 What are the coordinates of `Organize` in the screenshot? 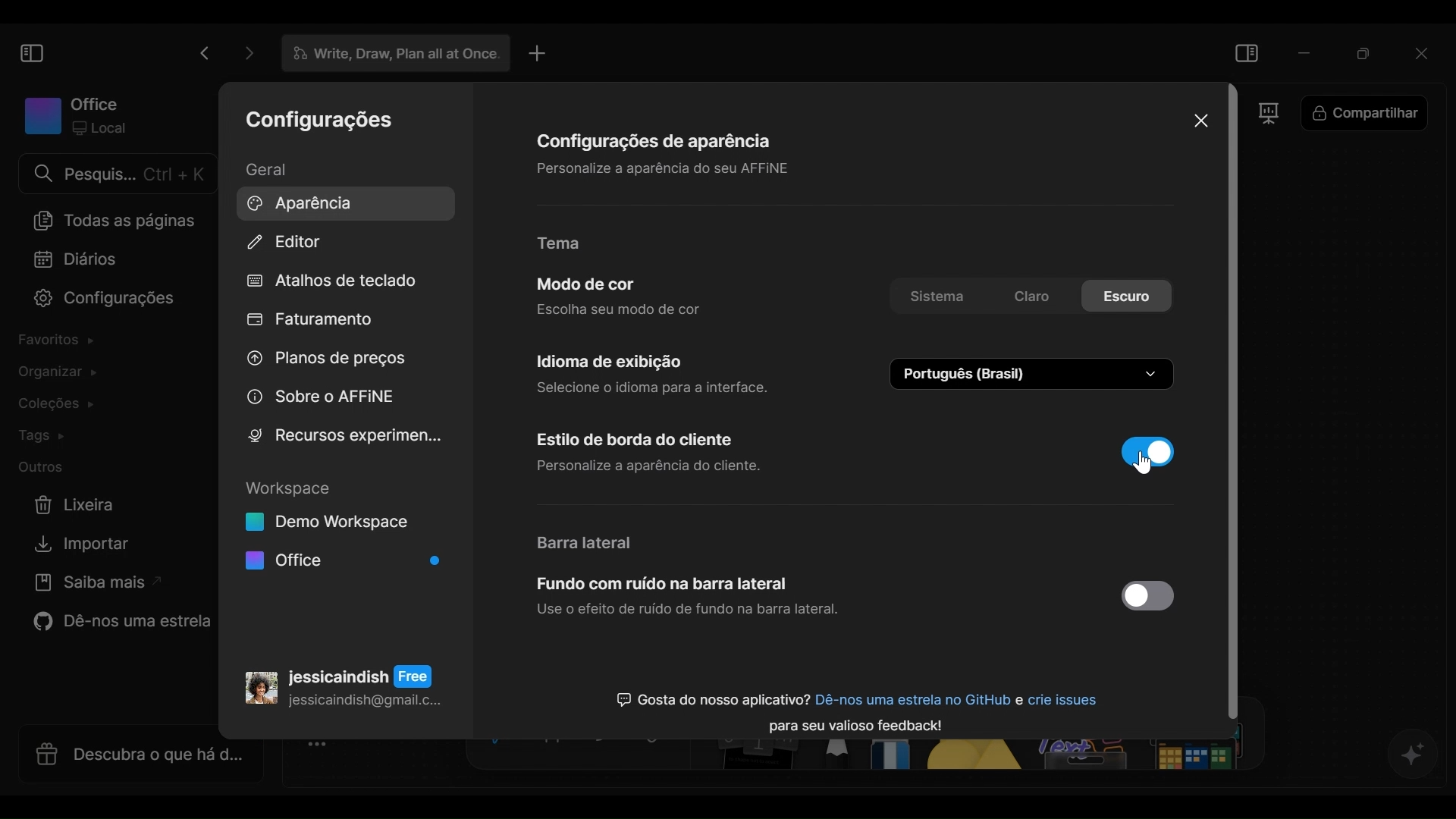 It's located at (53, 373).